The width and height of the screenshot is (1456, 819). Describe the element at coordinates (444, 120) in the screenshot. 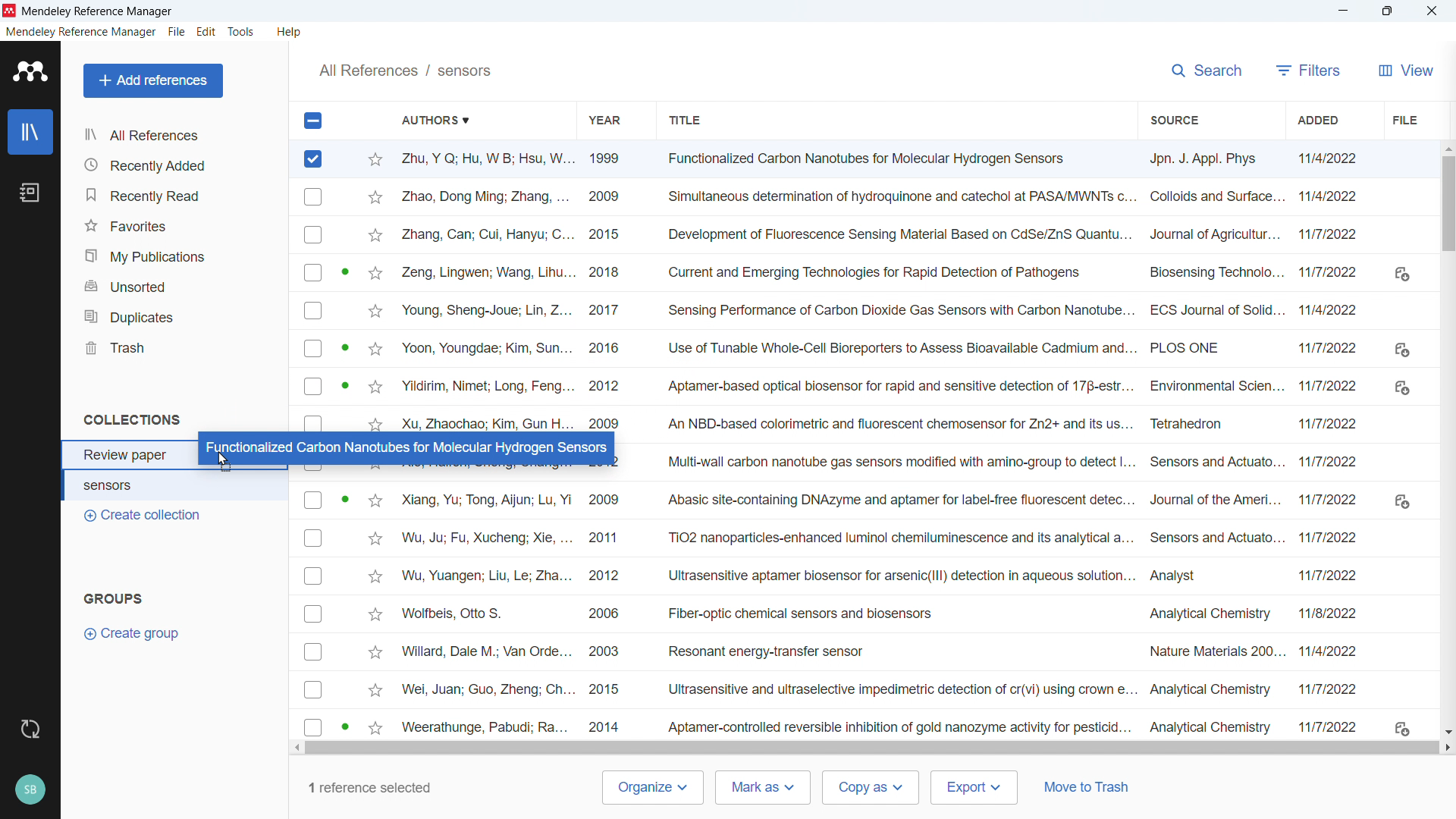

I see `Sort by authors ` at that location.